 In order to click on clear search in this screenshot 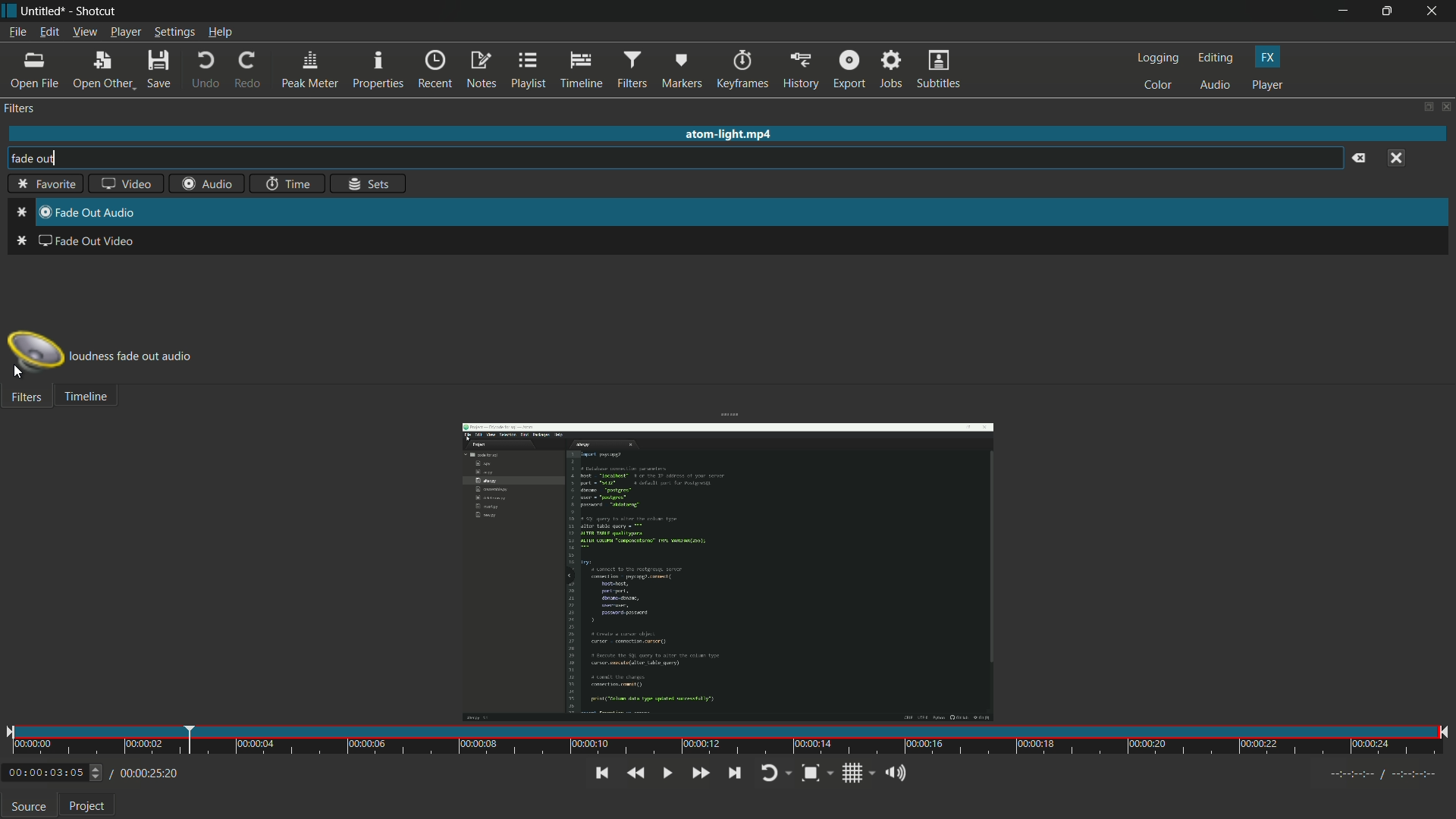, I will do `click(1358, 160)`.